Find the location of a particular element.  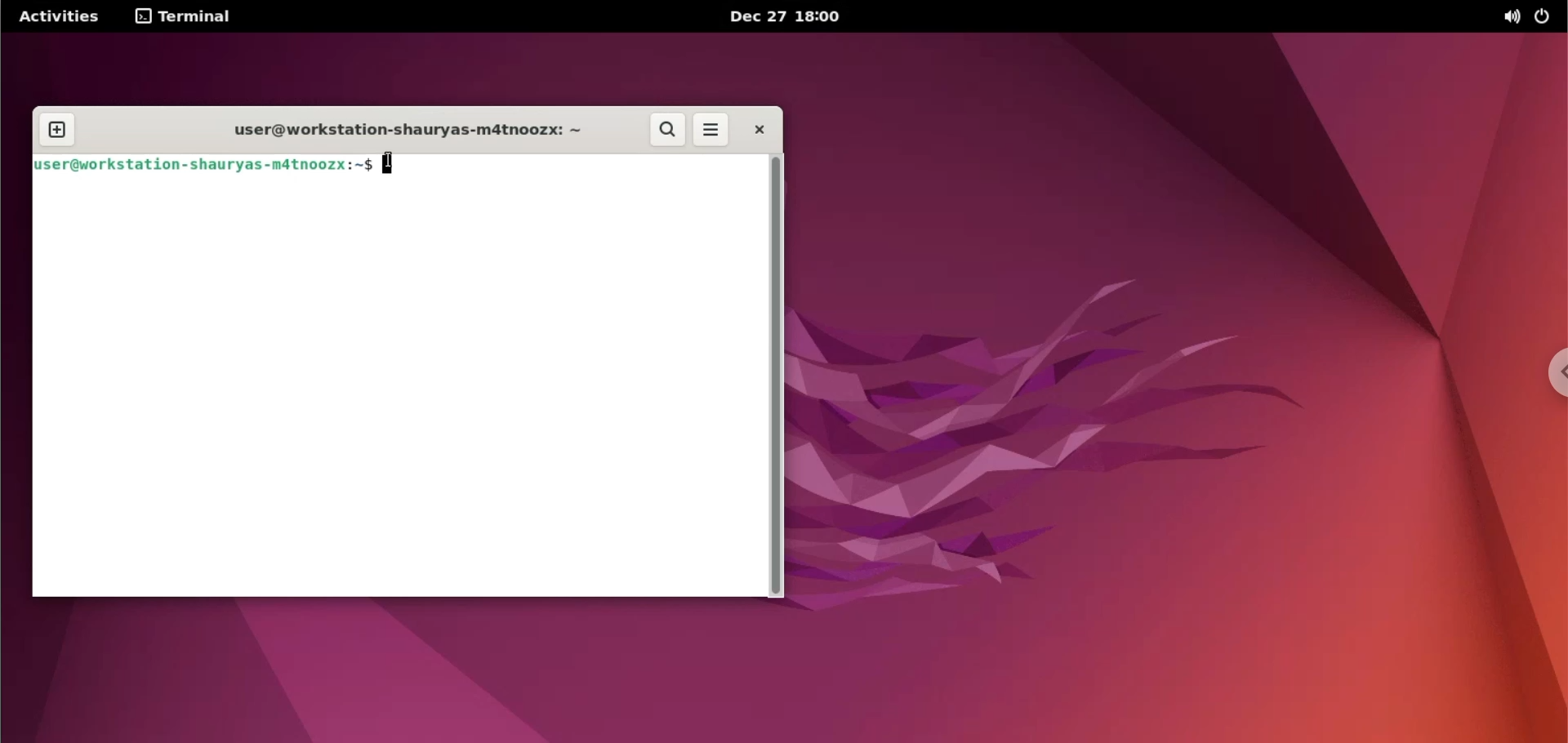

 Dec 27 18:00 is located at coordinates (787, 16).